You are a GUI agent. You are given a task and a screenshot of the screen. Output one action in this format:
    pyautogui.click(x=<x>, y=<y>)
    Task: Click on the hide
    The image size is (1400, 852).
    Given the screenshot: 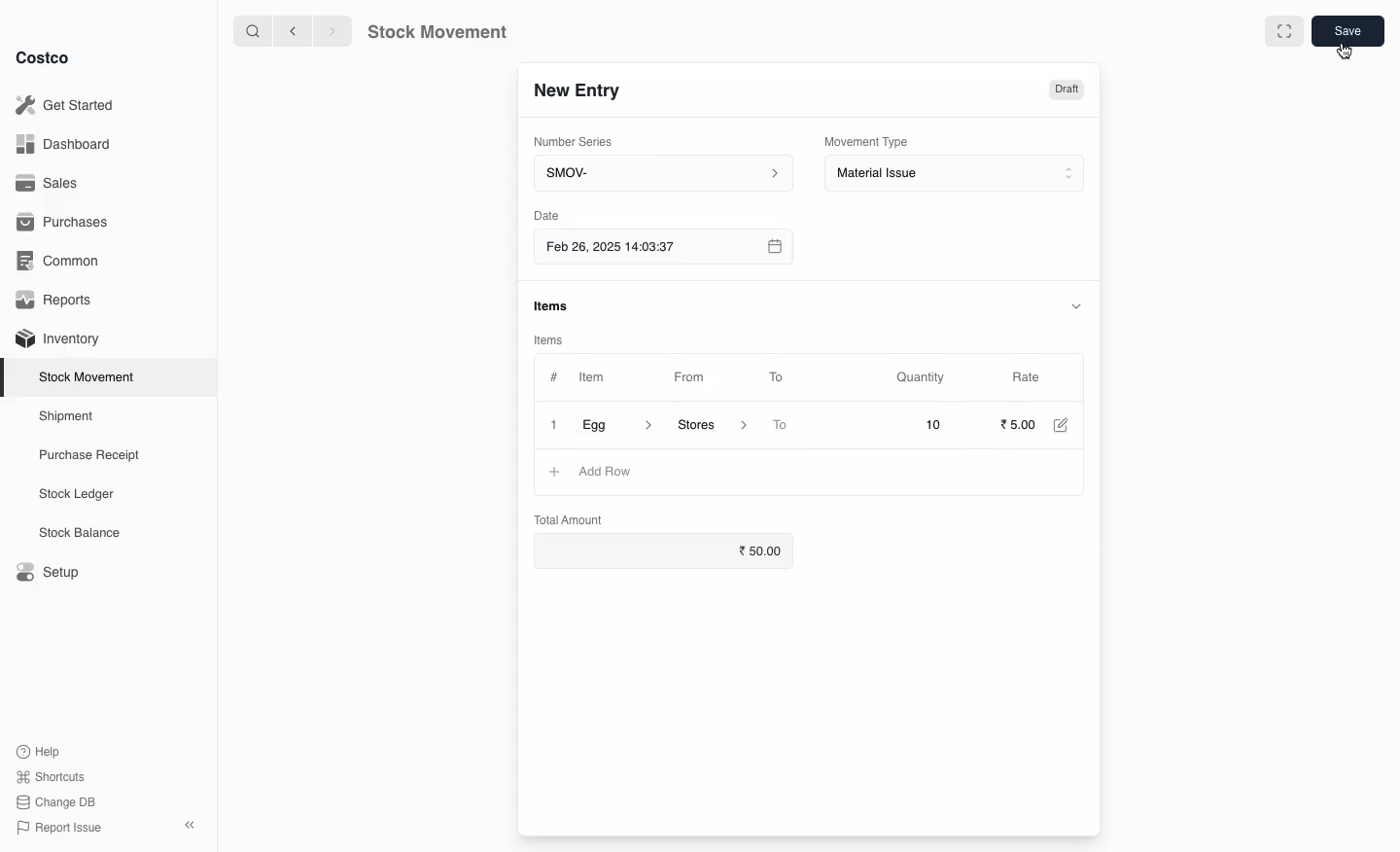 What is the action you would take?
    pyautogui.click(x=1079, y=304)
    